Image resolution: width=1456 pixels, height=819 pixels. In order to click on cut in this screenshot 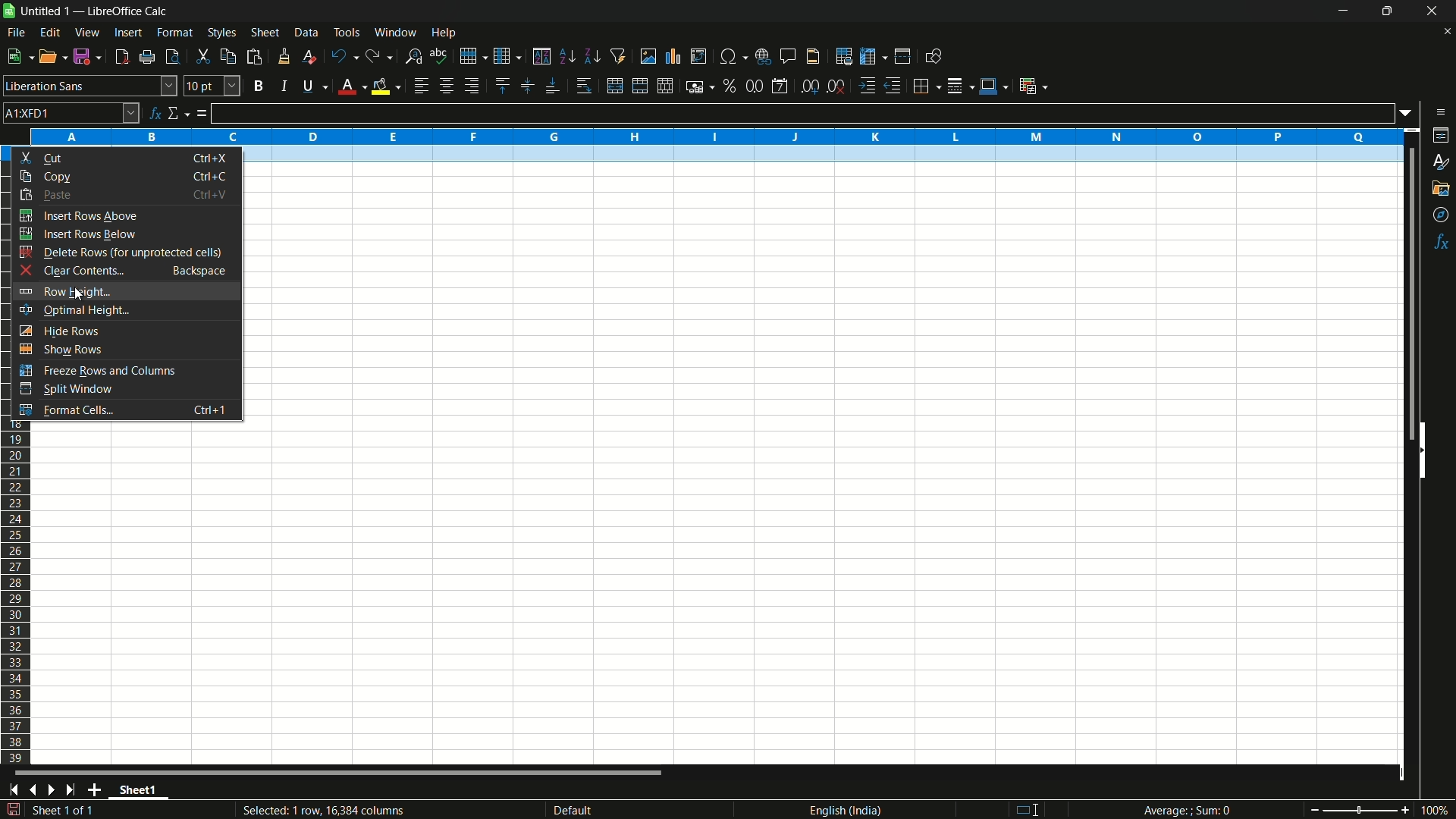, I will do `click(202, 56)`.